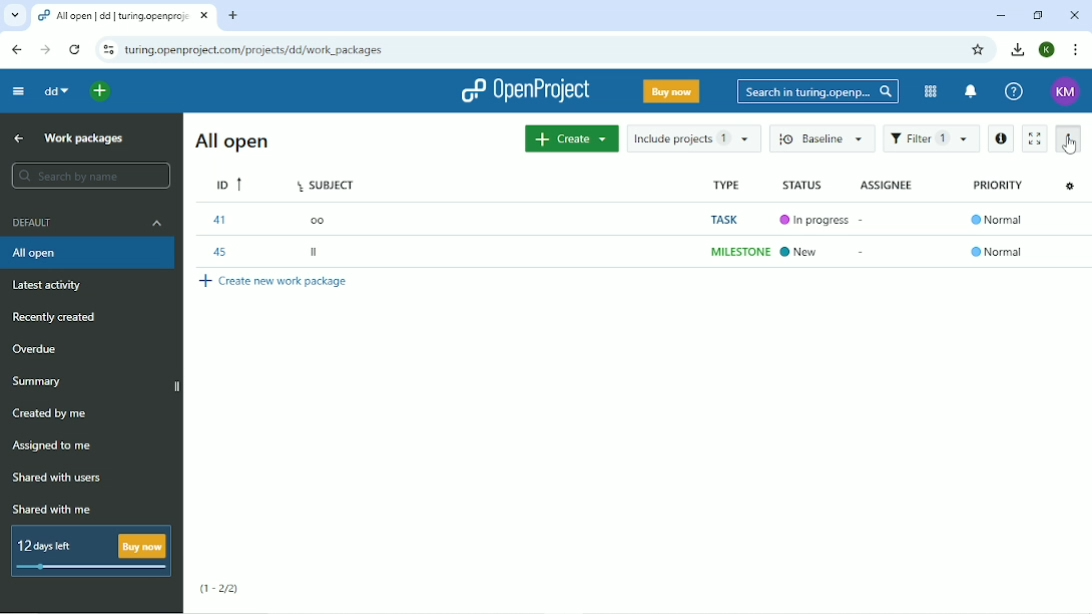 This screenshot has height=614, width=1092. What do you see at coordinates (999, 222) in the screenshot?
I see `Normal` at bounding box center [999, 222].